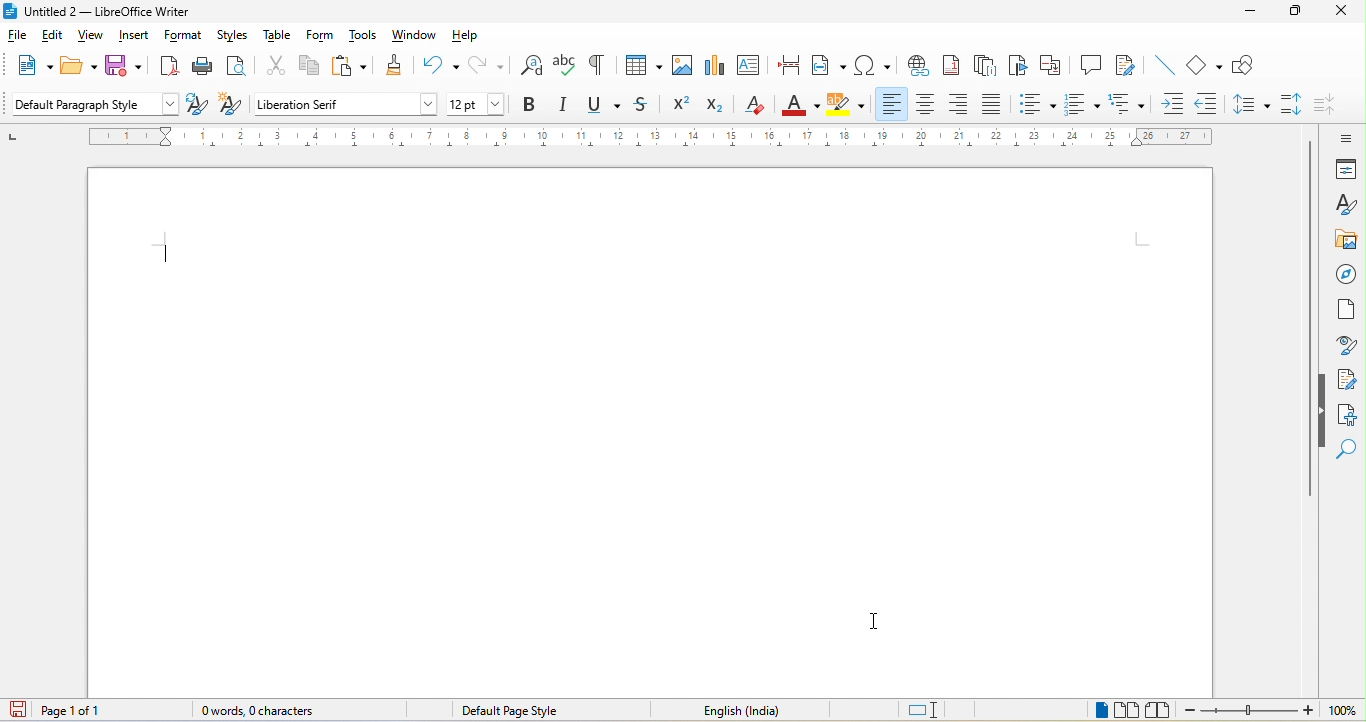 This screenshot has height=722, width=1366. Describe the element at coordinates (1296, 11) in the screenshot. I see `maximize` at that location.